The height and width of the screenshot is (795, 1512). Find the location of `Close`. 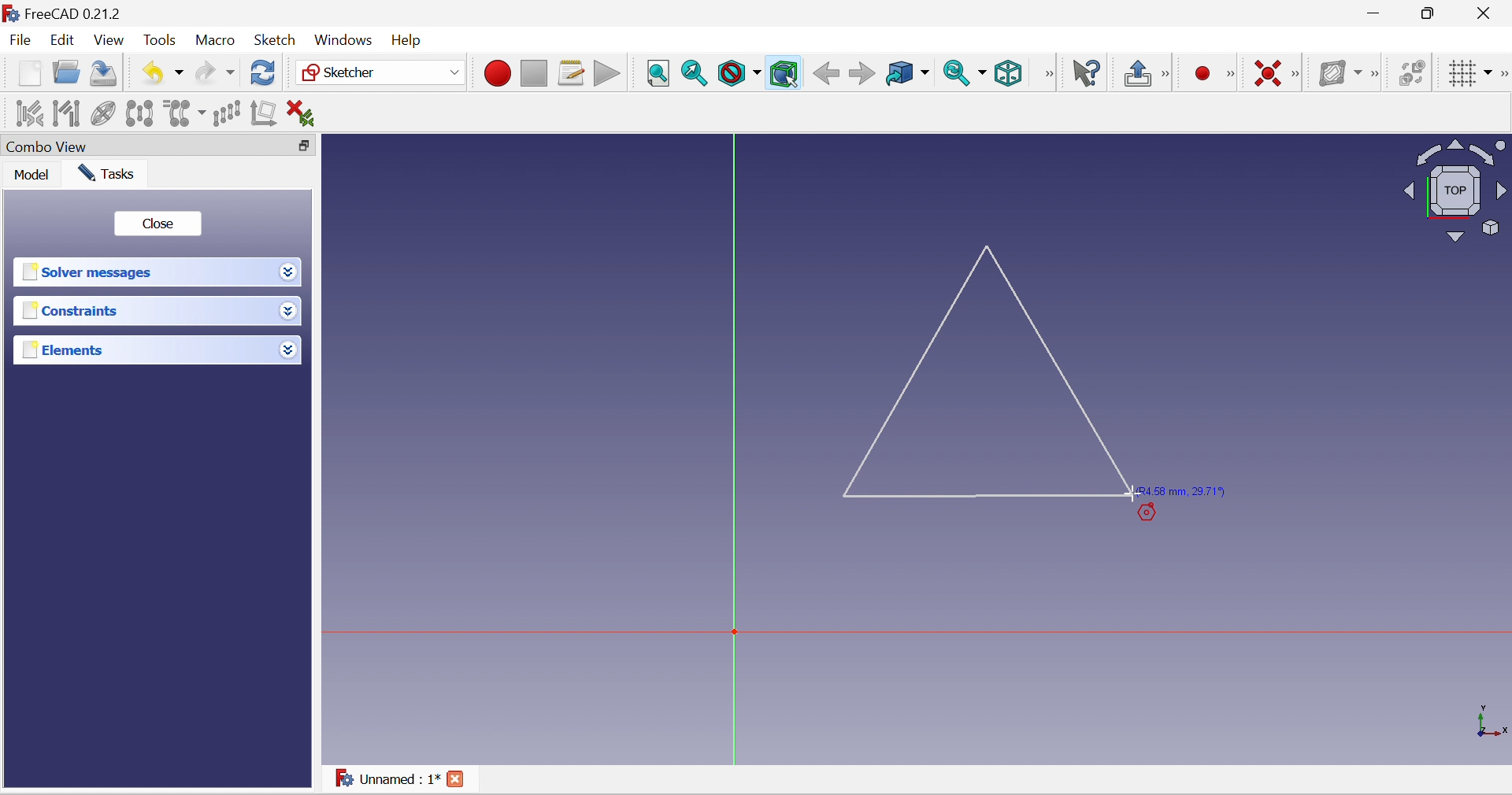

Close is located at coordinates (1488, 12).